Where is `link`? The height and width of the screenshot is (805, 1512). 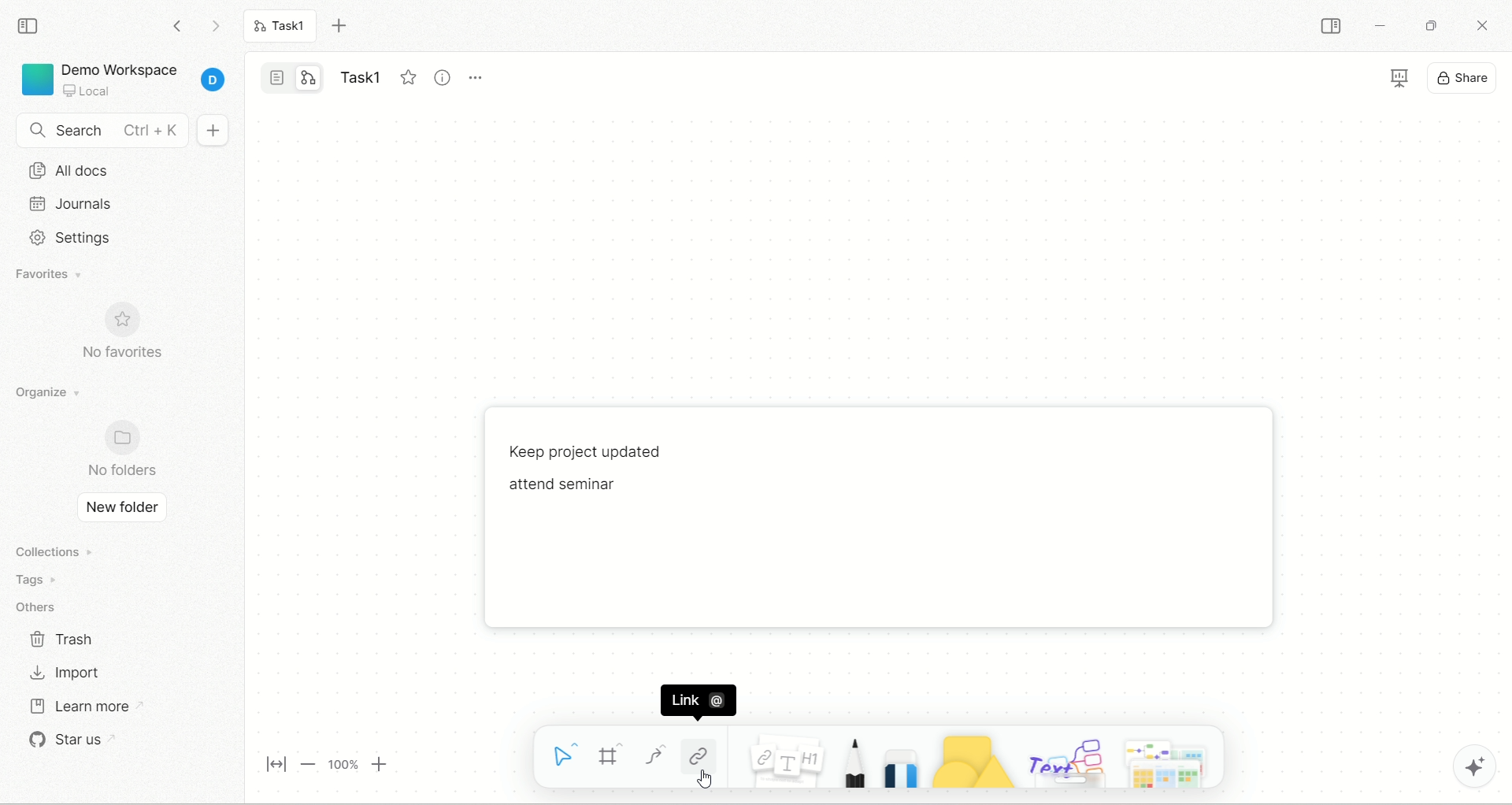
link is located at coordinates (699, 751).